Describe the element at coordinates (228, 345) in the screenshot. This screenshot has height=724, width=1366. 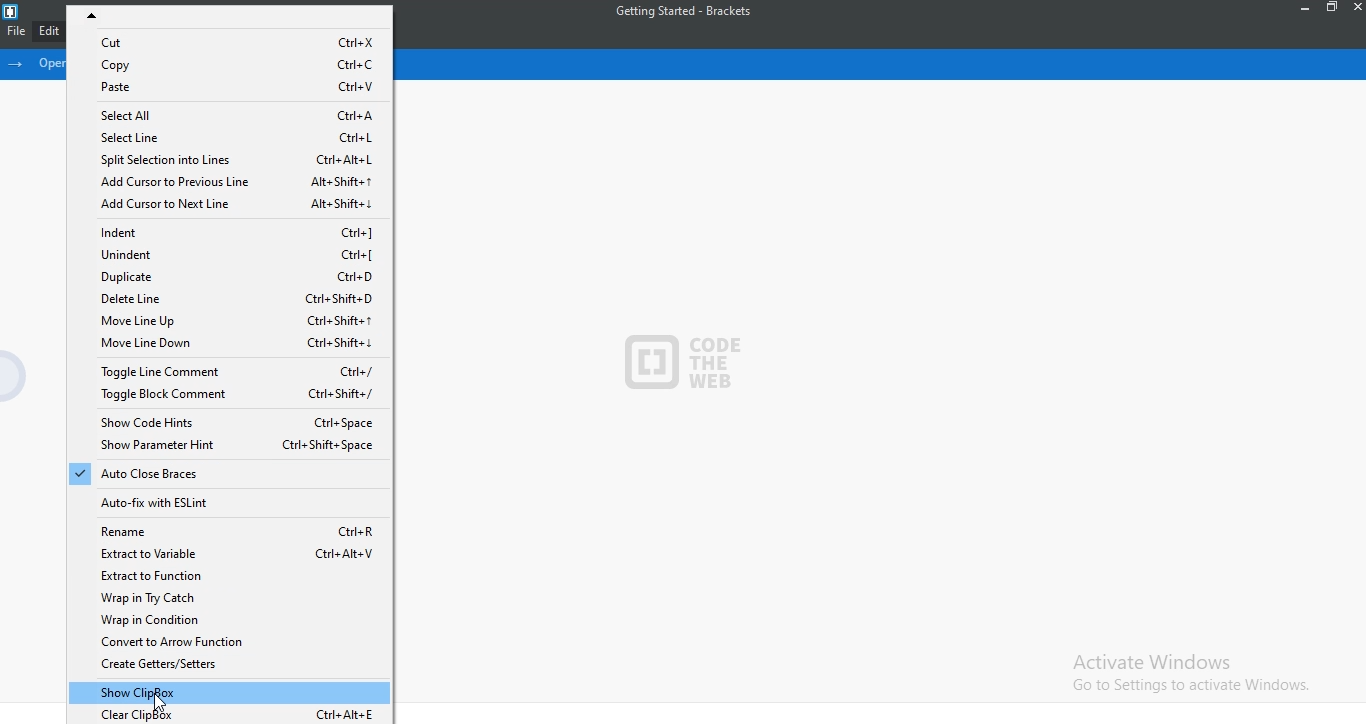
I see `Move Lines Down` at that location.